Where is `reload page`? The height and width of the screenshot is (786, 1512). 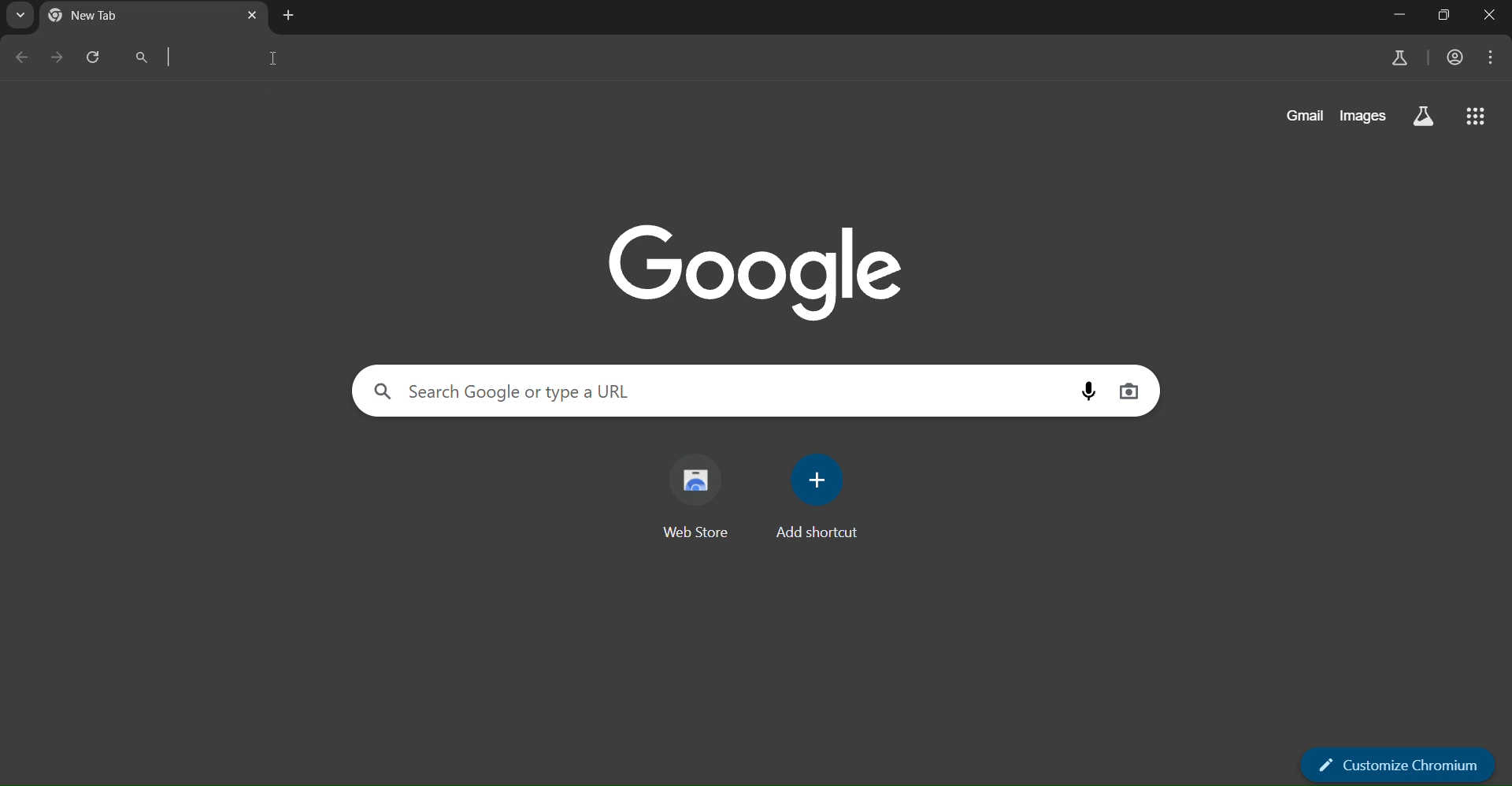 reload page is located at coordinates (91, 54).